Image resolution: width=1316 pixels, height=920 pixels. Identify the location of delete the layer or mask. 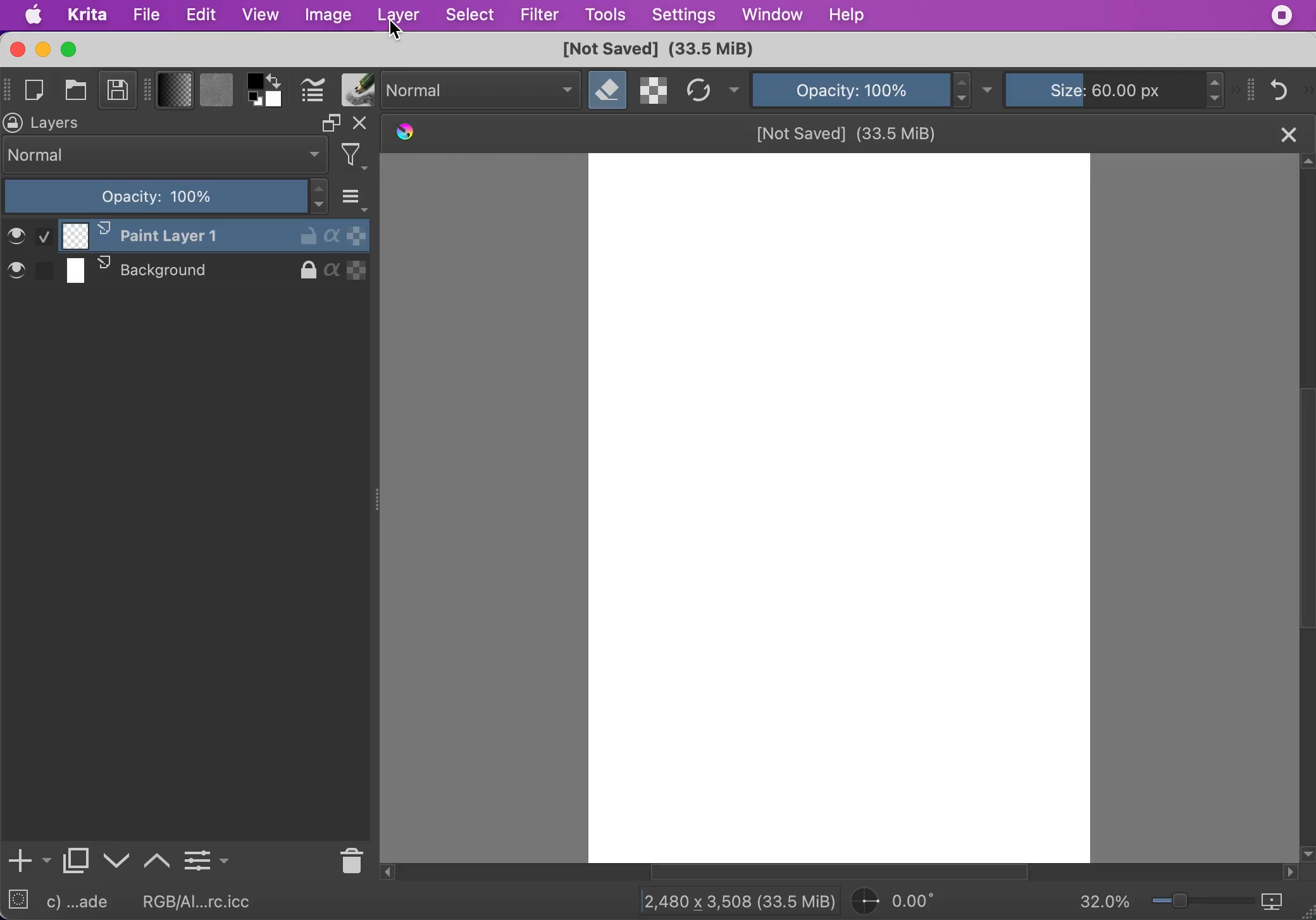
(349, 859).